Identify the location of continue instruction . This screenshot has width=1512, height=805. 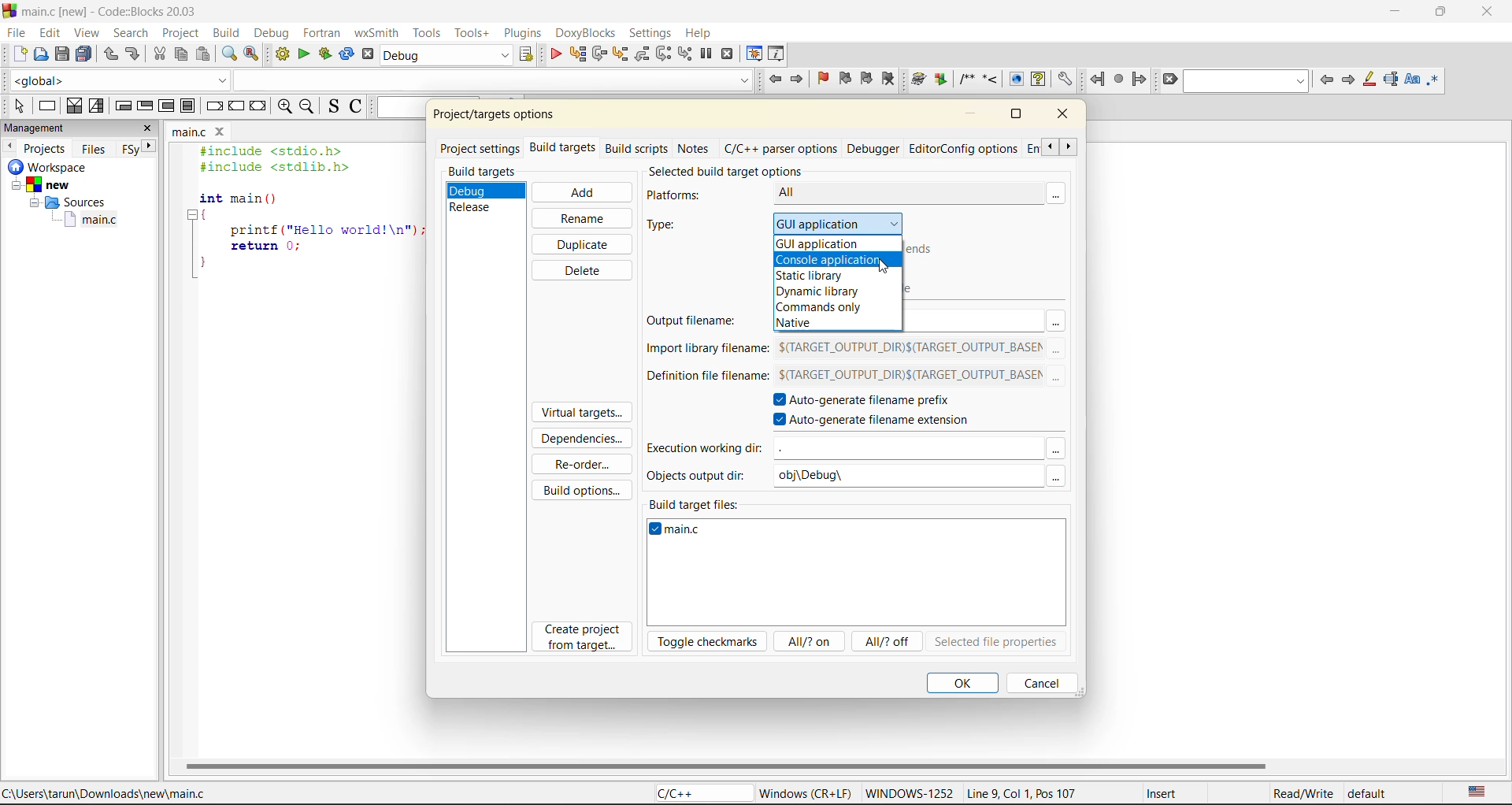
(236, 107).